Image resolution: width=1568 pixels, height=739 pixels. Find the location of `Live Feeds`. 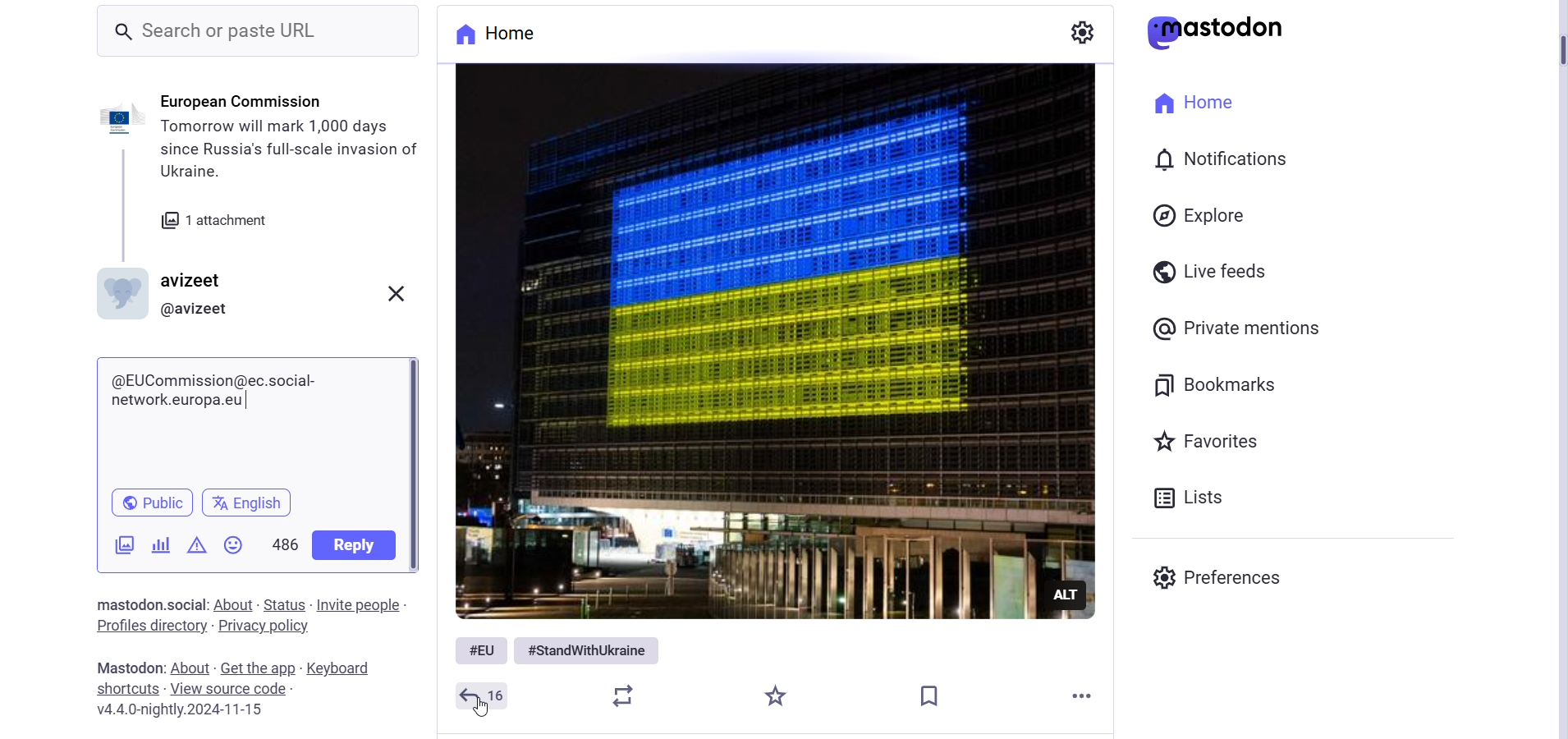

Live Feeds is located at coordinates (1216, 269).